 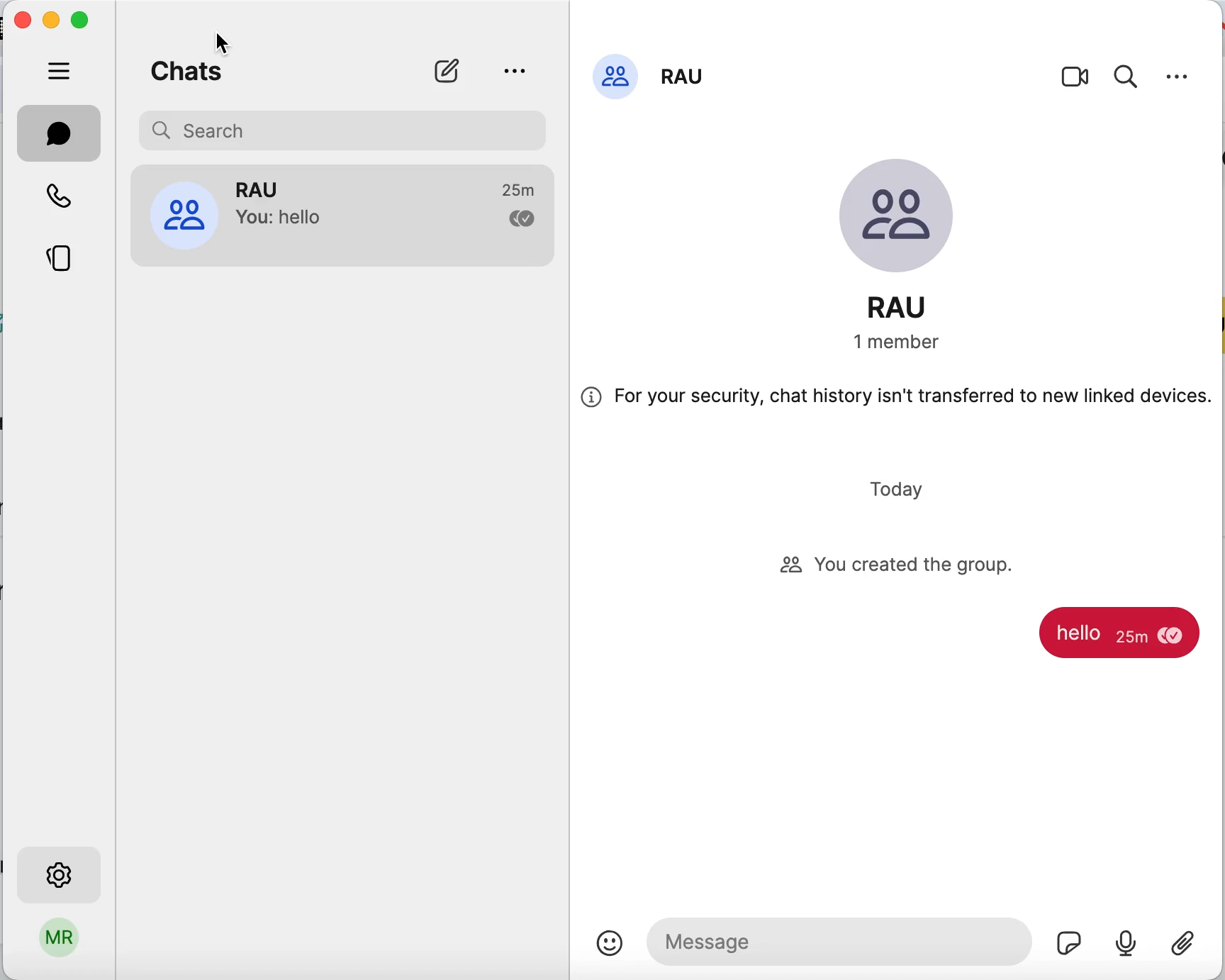 What do you see at coordinates (181, 72) in the screenshot?
I see `chats` at bounding box center [181, 72].